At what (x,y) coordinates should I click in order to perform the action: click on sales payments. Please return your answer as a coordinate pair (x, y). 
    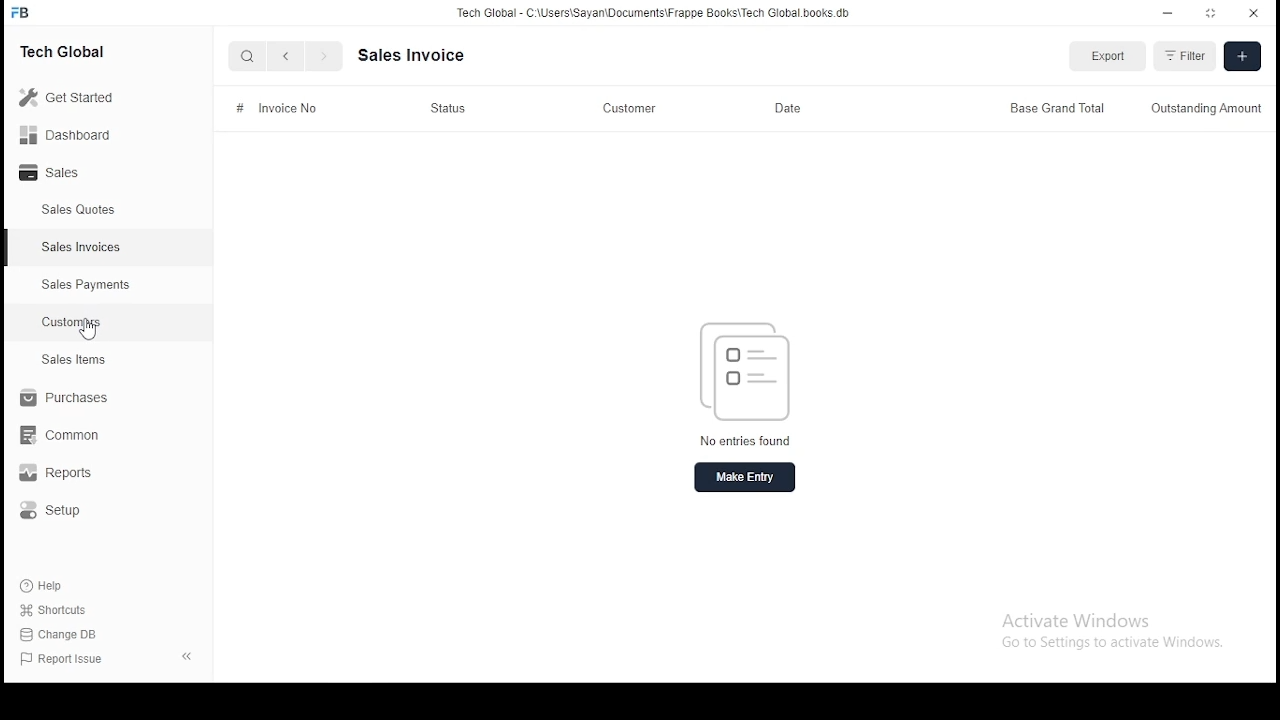
    Looking at the image, I should click on (82, 285).